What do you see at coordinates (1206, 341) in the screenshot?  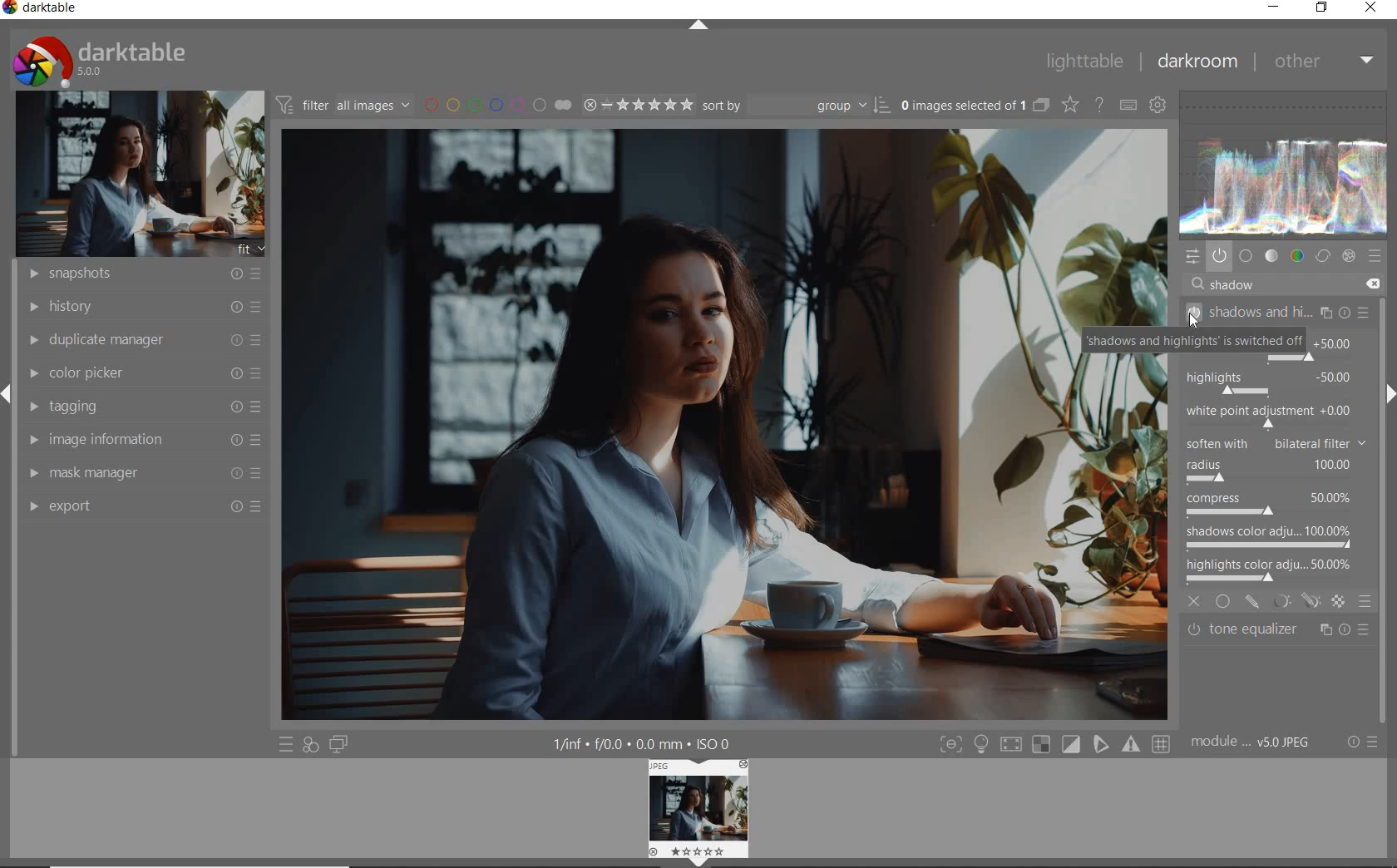 I see `shadows & highlights 'is switched off'` at bounding box center [1206, 341].